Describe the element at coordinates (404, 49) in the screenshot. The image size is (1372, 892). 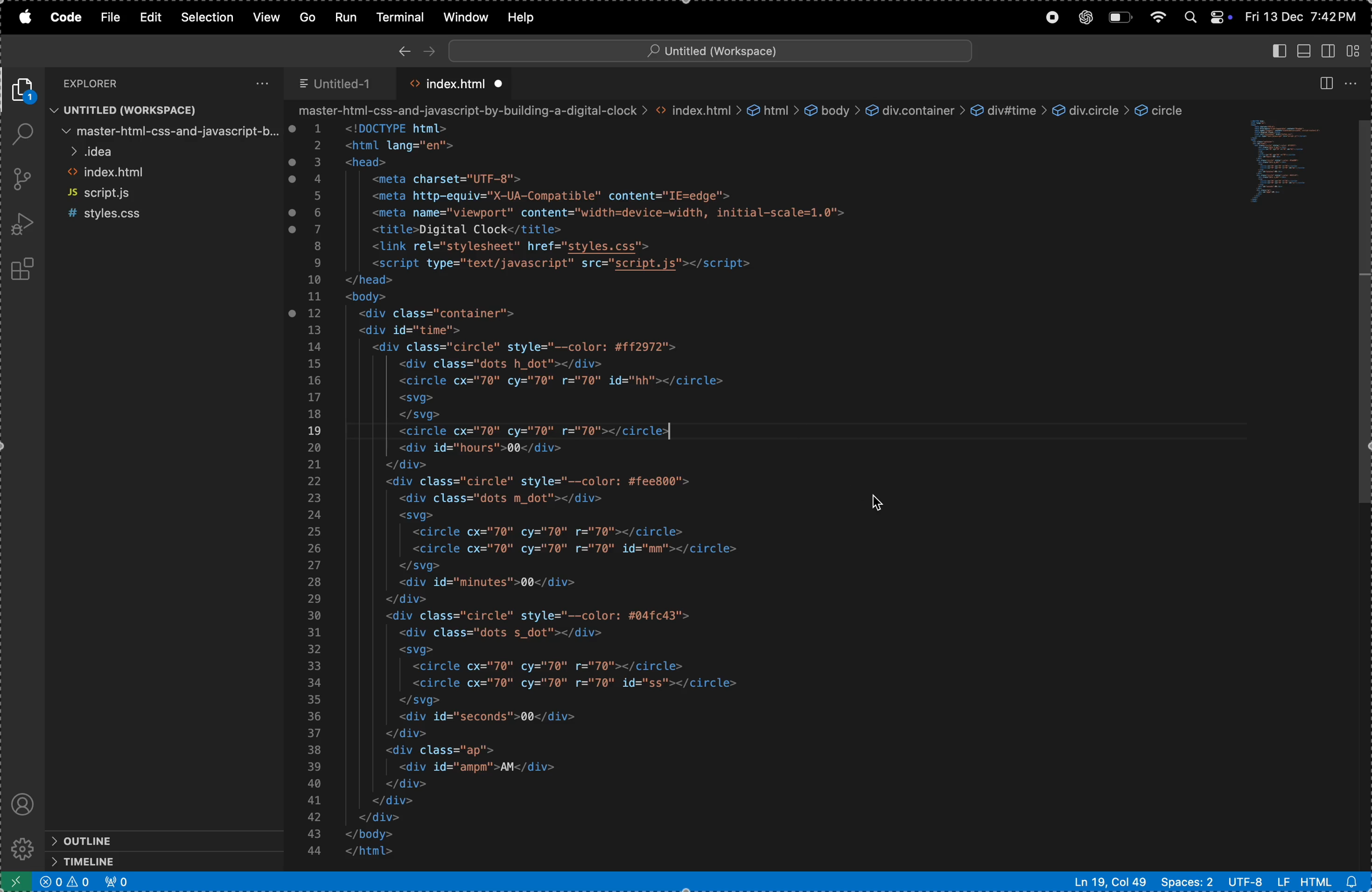
I see `back ward` at that location.